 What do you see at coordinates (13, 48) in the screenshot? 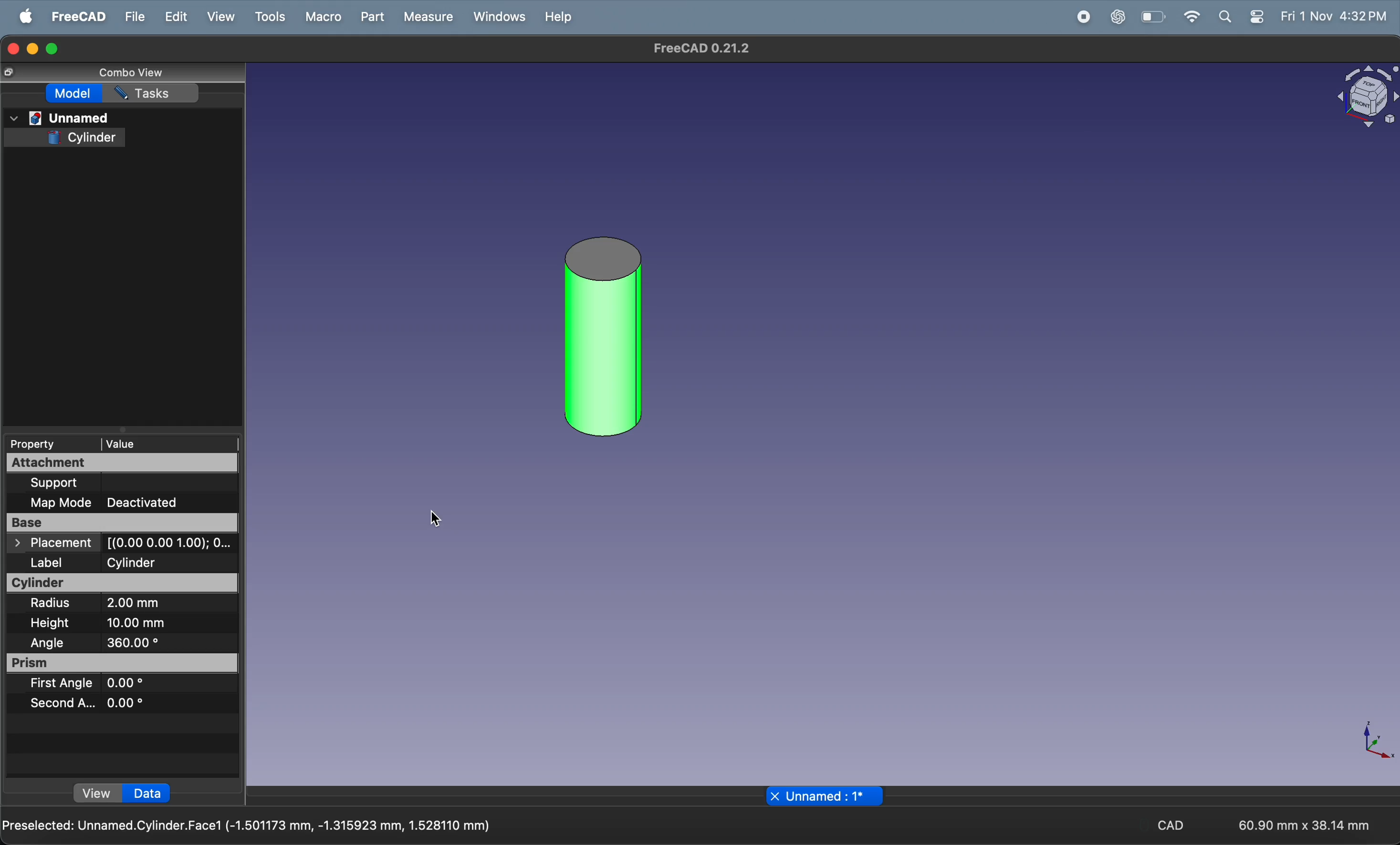
I see `closing window` at bounding box center [13, 48].